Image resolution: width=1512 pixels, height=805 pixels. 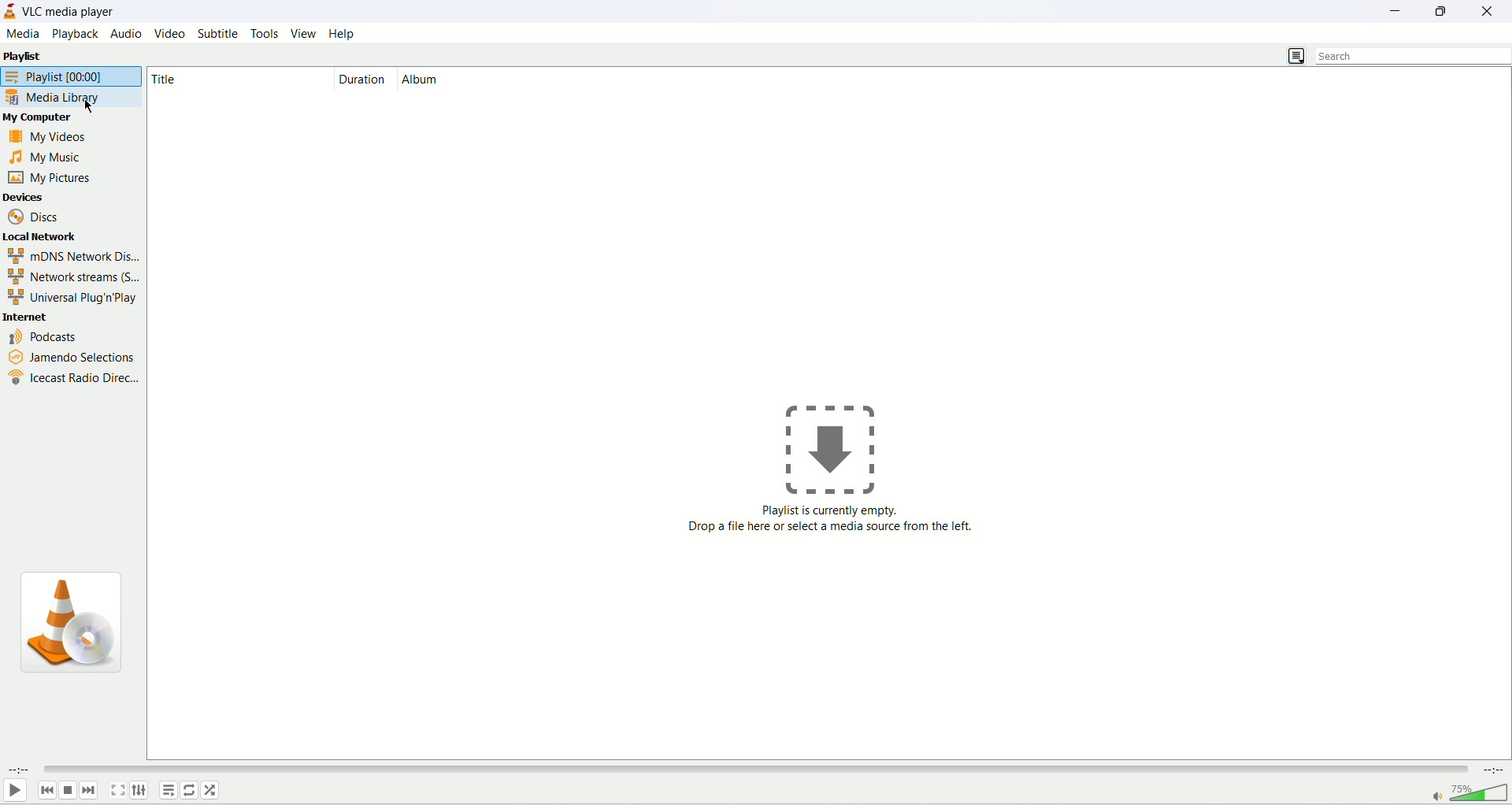 I want to click on random, so click(x=212, y=792).